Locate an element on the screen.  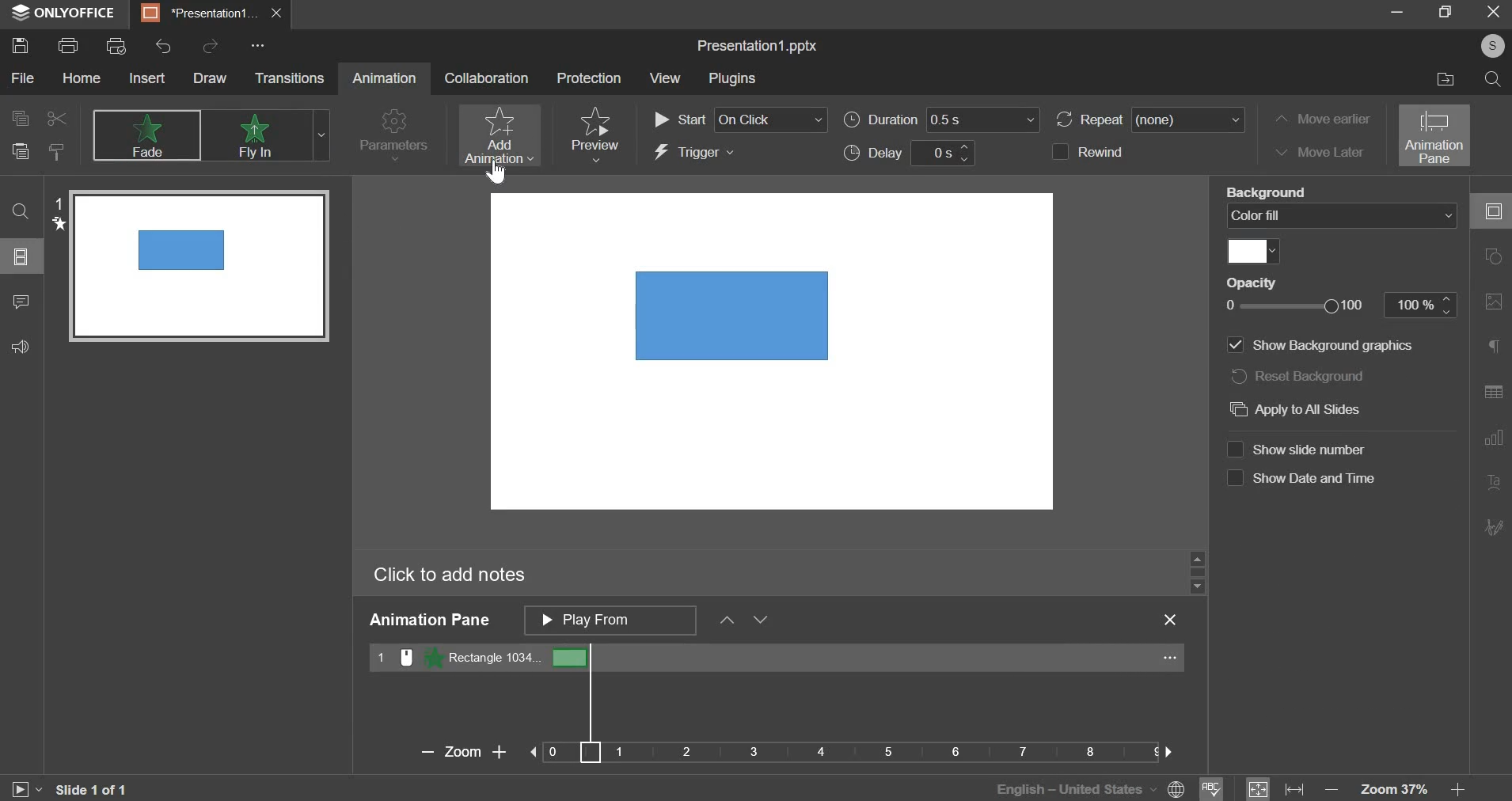
search is located at coordinates (24, 211).